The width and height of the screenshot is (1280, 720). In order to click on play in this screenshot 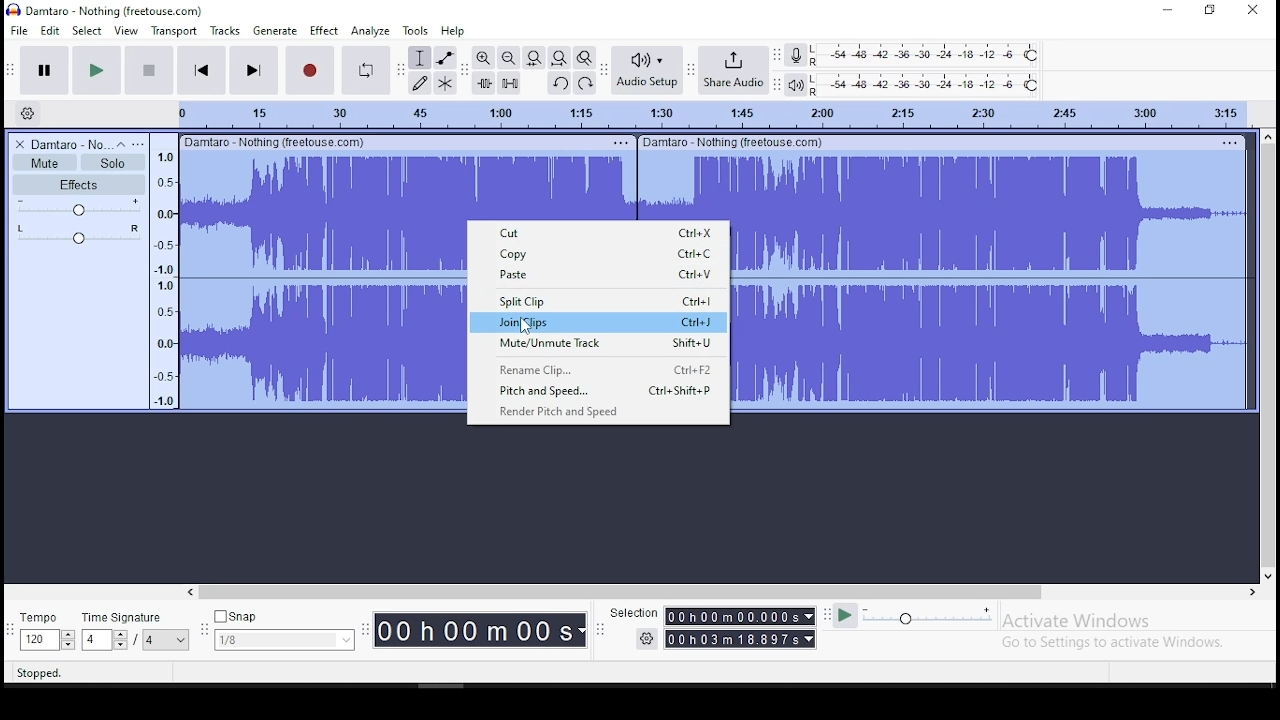, I will do `click(95, 70)`.